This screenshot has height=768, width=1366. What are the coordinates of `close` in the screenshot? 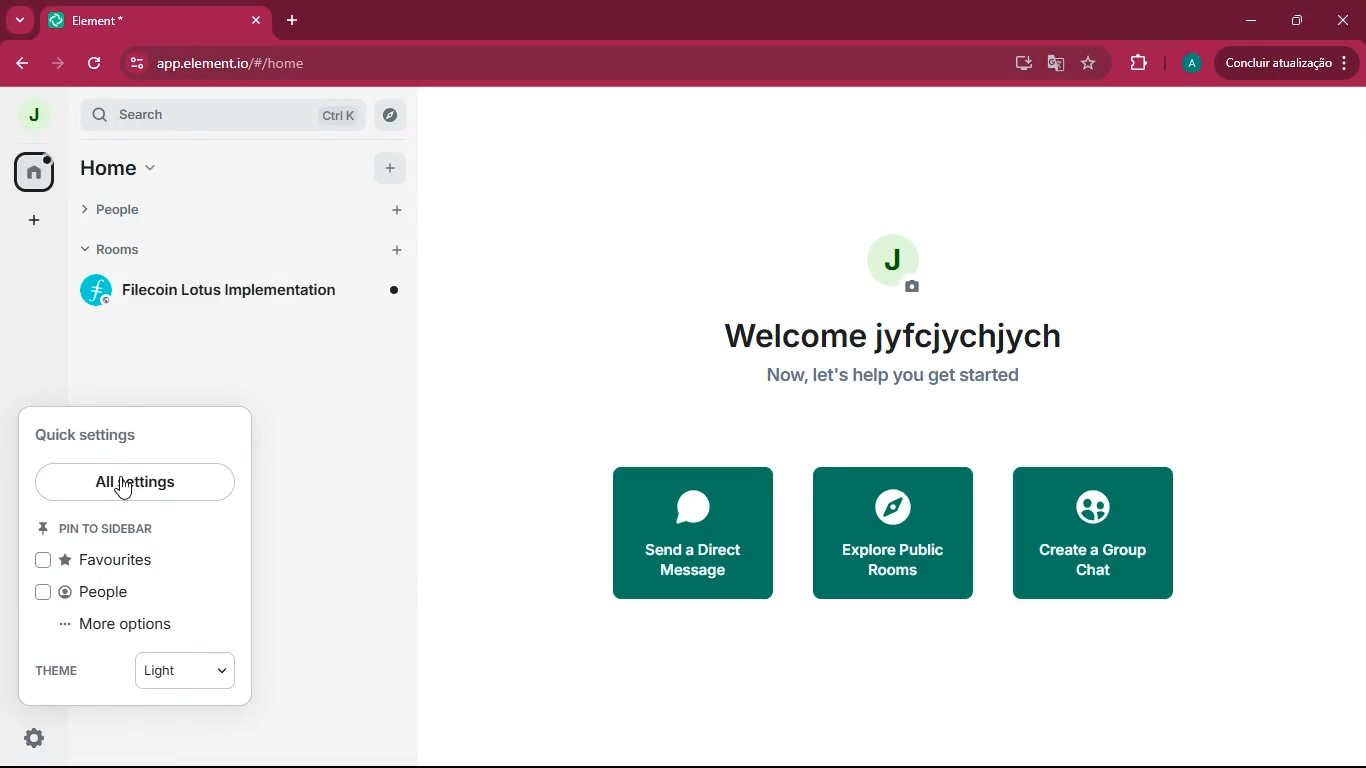 It's located at (1344, 15).